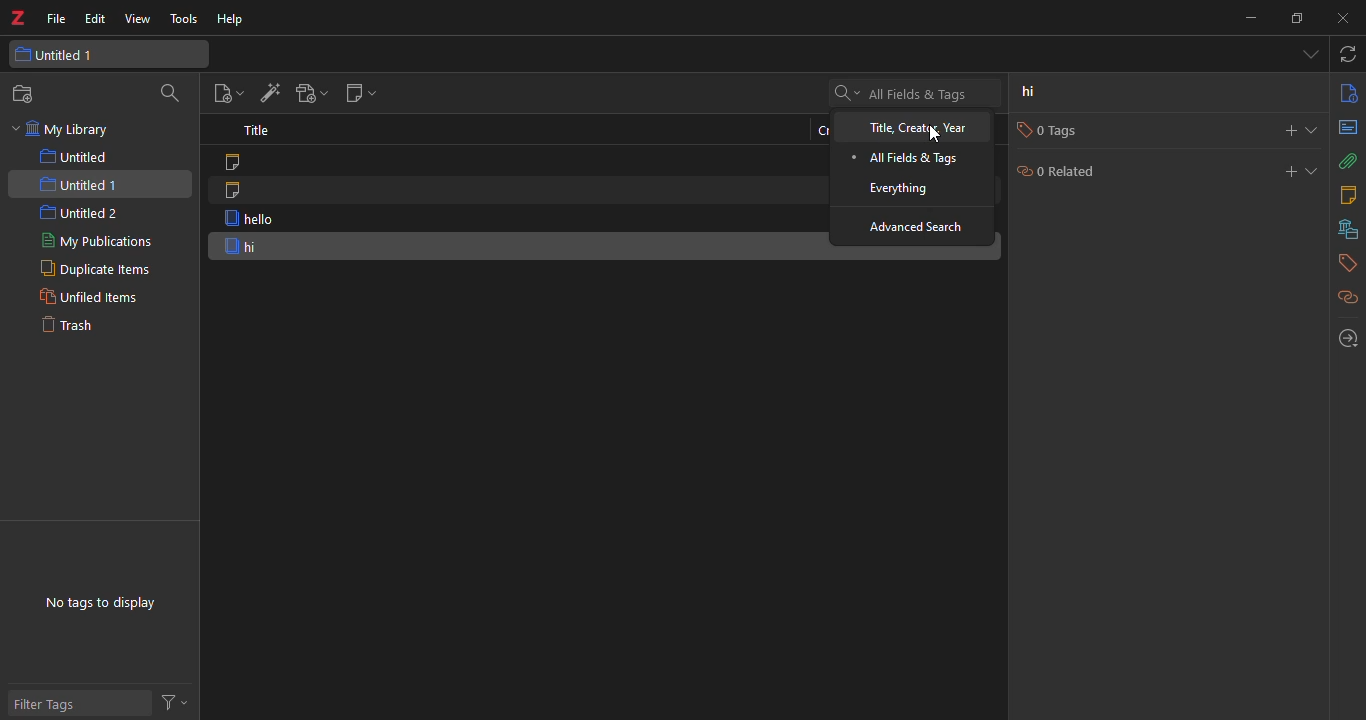 This screenshot has height=720, width=1366. I want to click on file, so click(55, 21).